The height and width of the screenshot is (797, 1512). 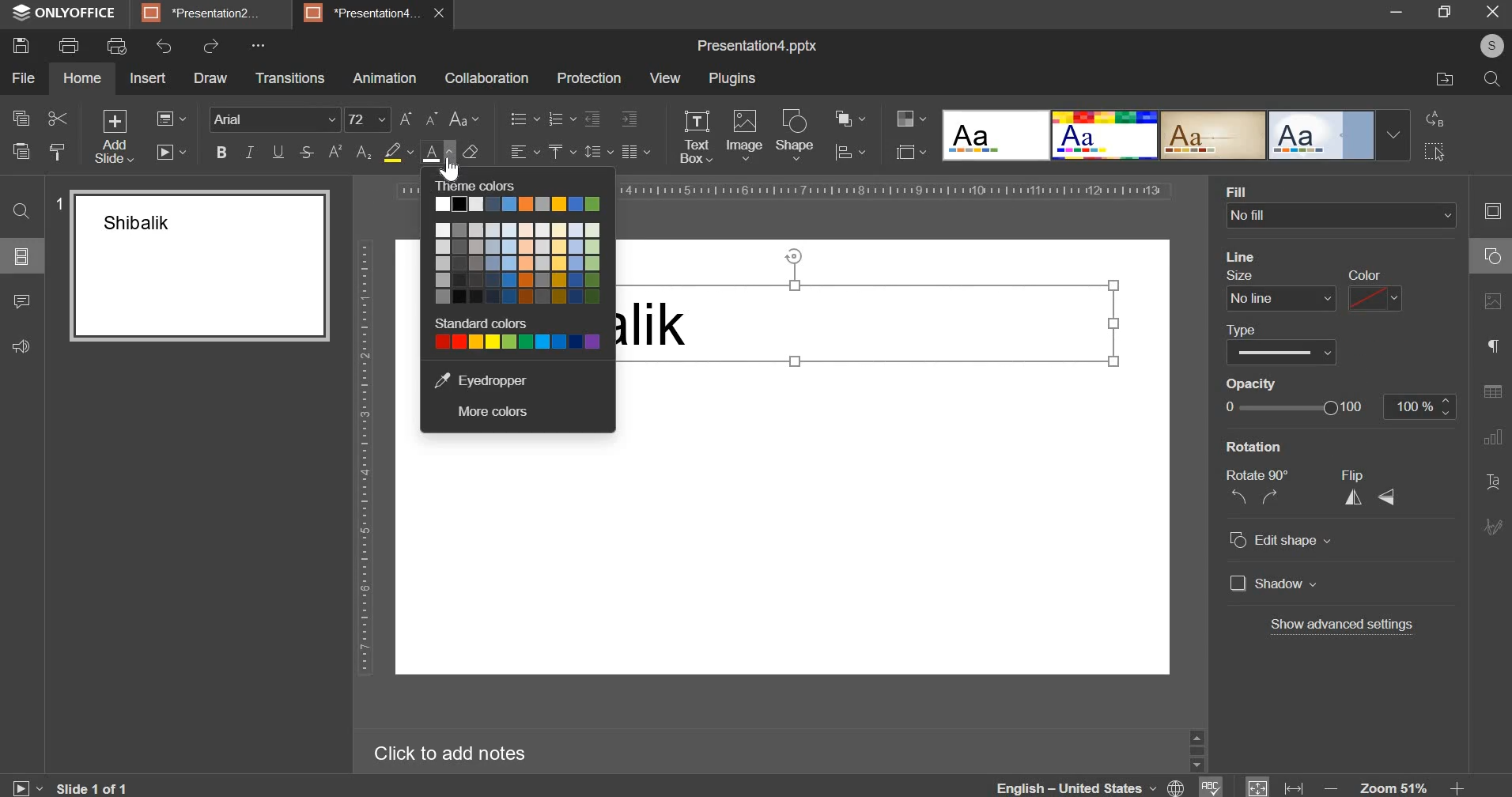 I want to click on select slide size, so click(x=911, y=152).